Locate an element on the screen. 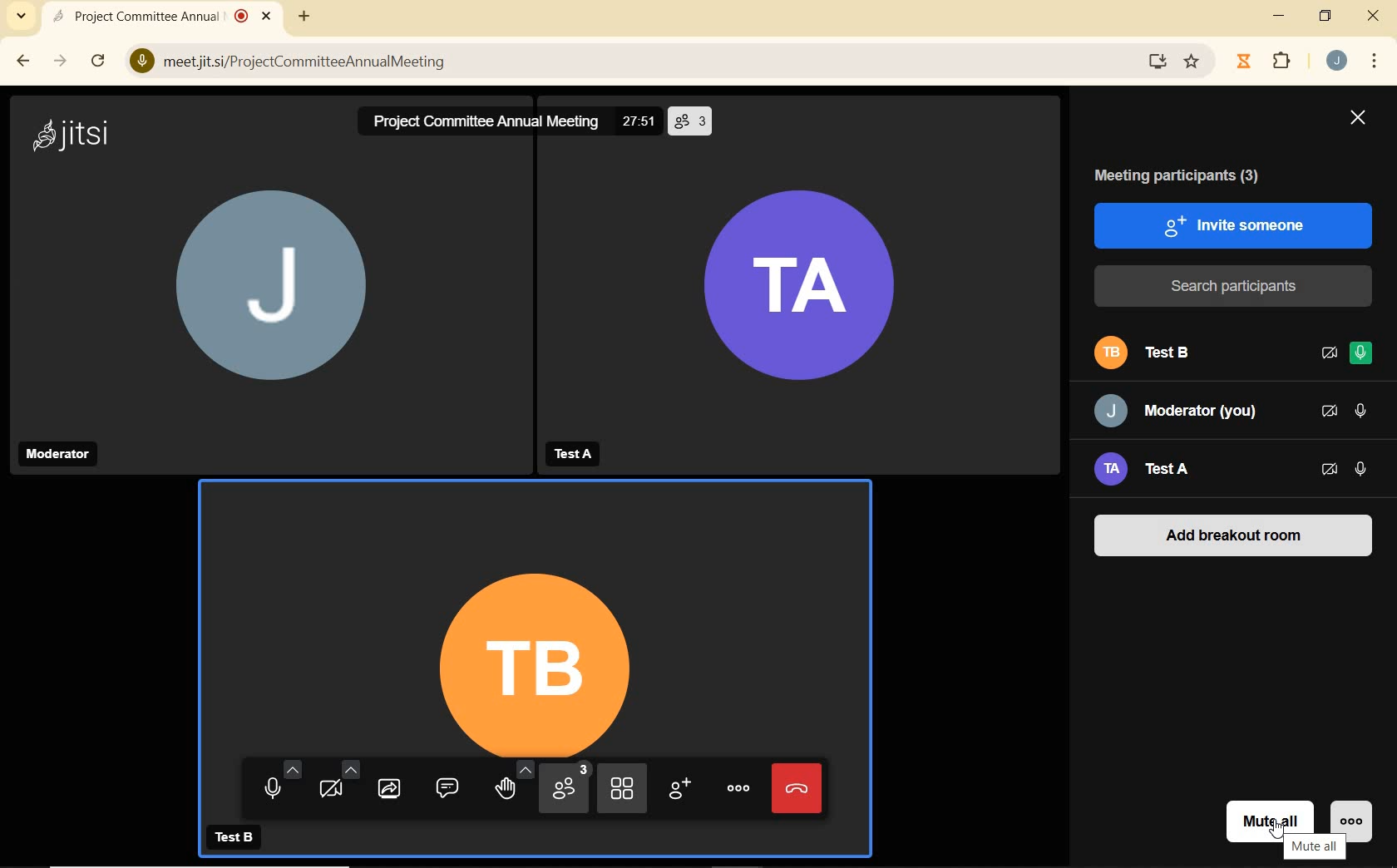  RESTORE DOWN is located at coordinates (1325, 17).